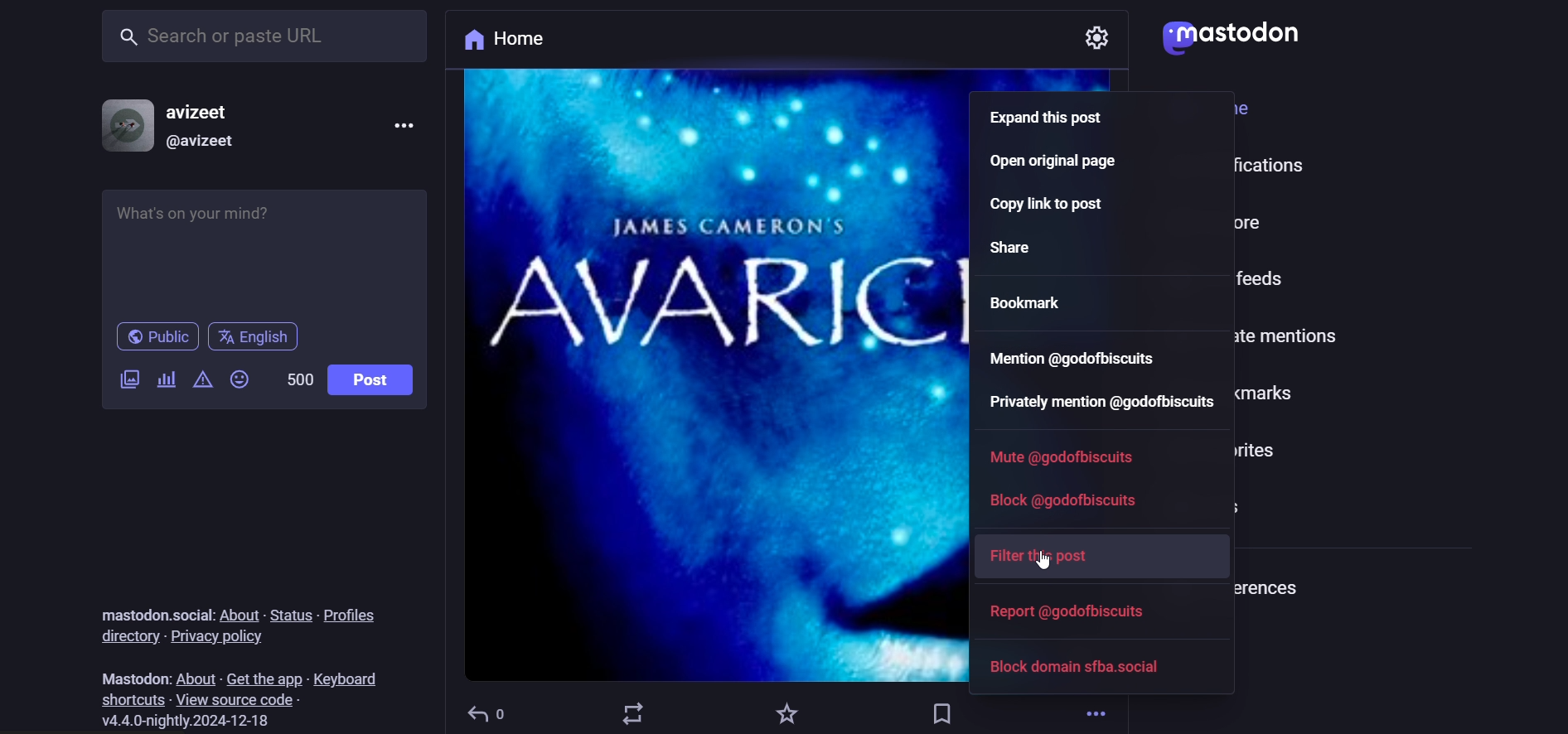 This screenshot has width=1568, height=734. I want to click on mastodon, so click(133, 676).